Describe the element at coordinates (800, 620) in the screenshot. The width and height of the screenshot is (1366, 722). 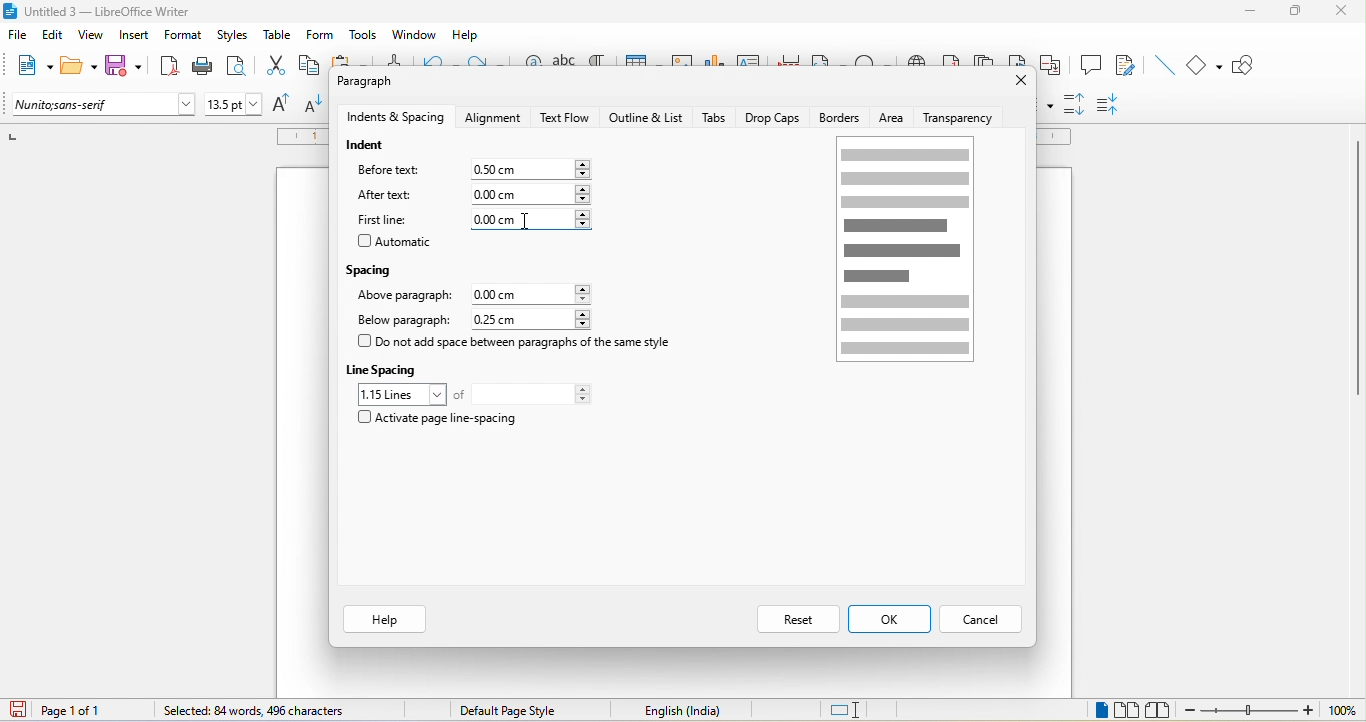
I see `reset` at that location.